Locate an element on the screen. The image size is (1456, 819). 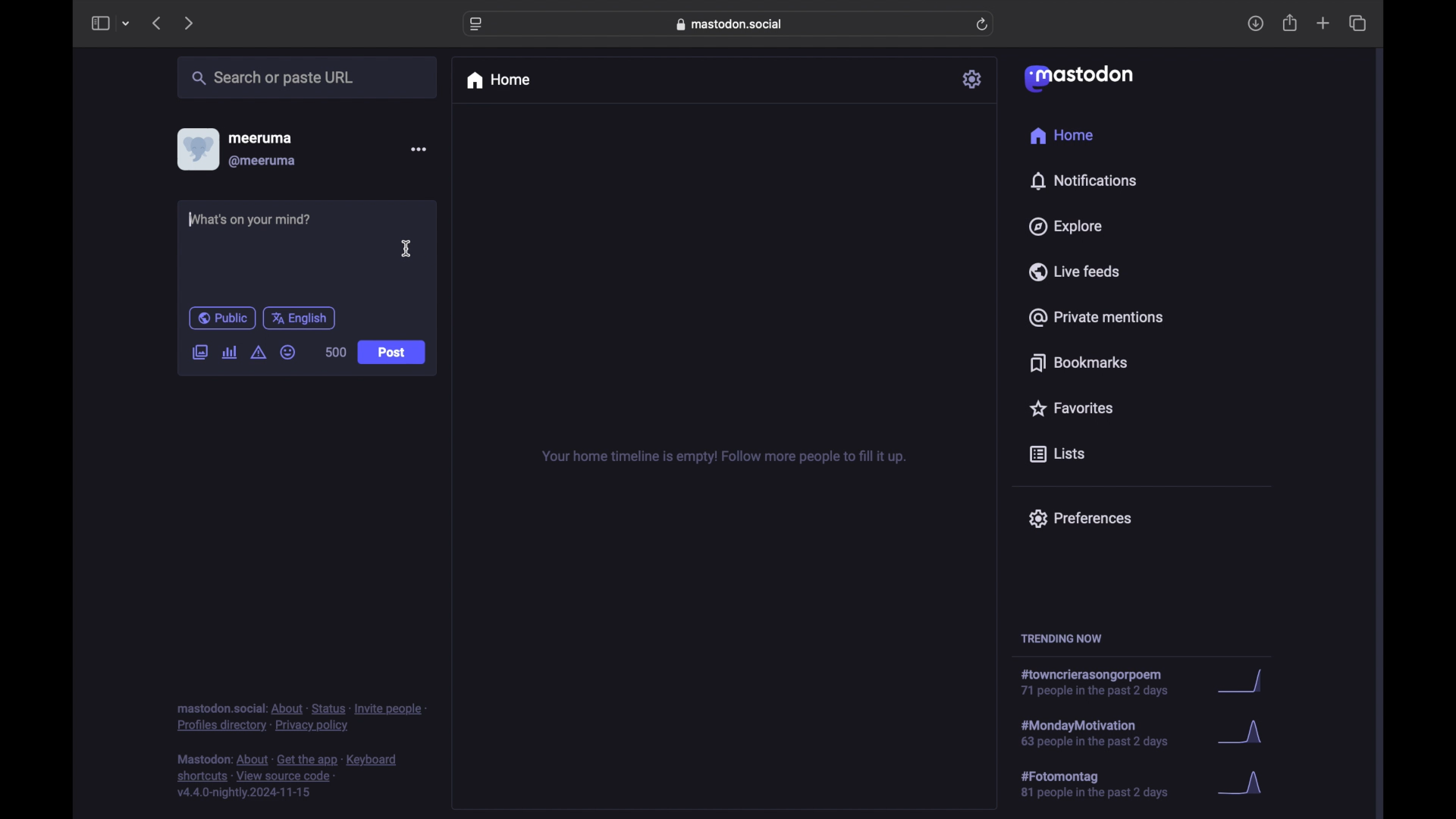
share is located at coordinates (1291, 23).